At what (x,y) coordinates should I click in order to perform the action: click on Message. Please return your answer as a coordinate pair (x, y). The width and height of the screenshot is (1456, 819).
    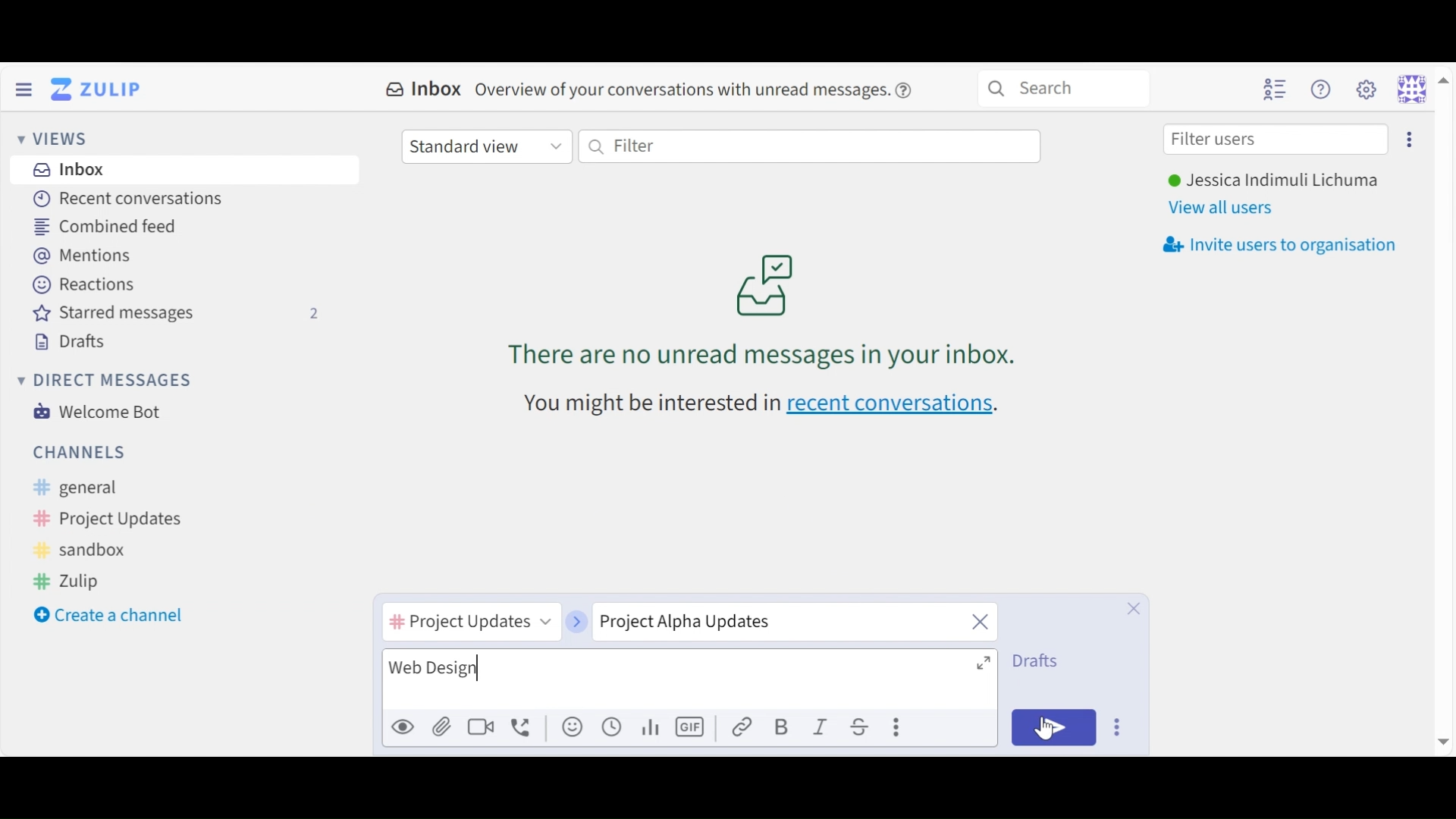
    Looking at the image, I should click on (689, 677).